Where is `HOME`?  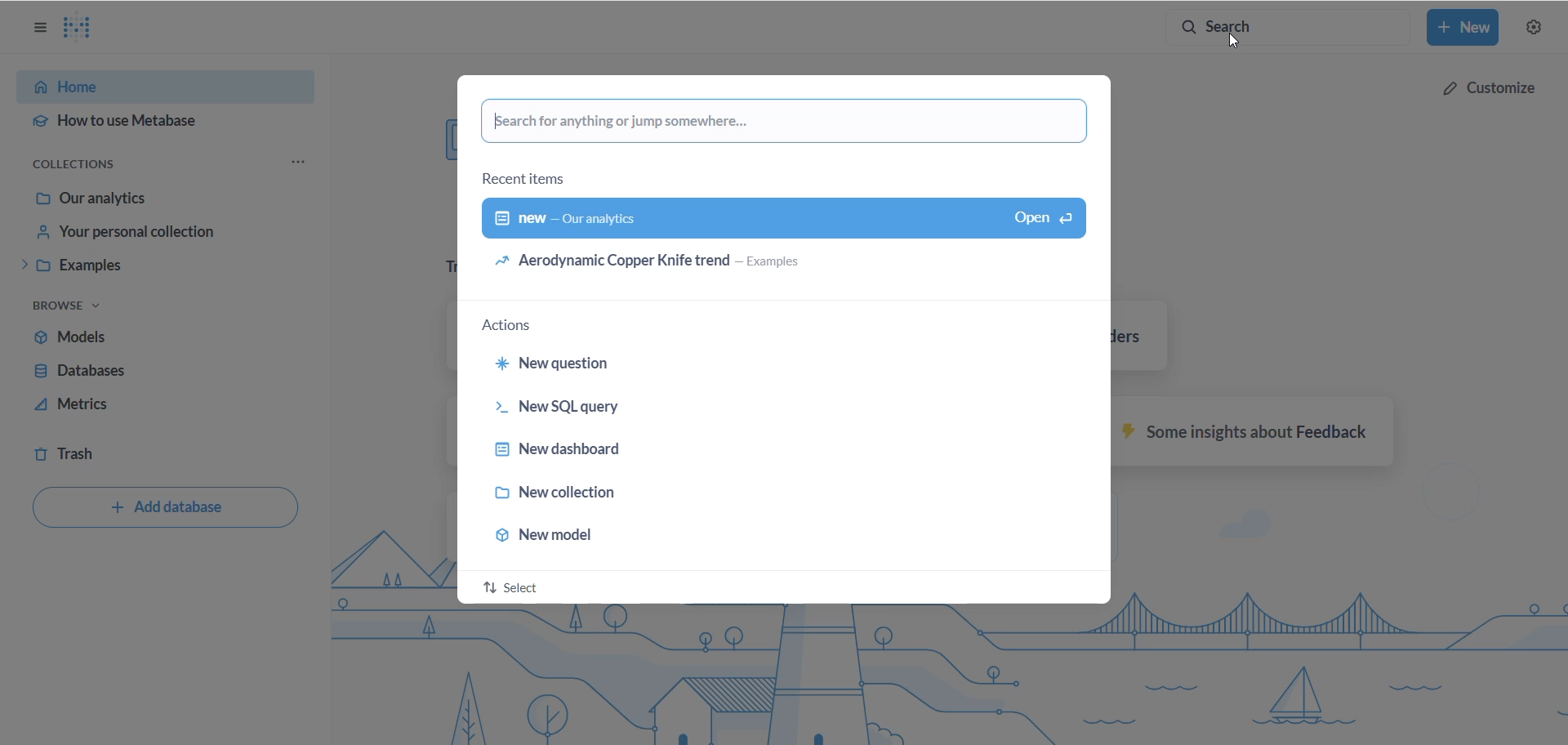
HOME is located at coordinates (159, 87).